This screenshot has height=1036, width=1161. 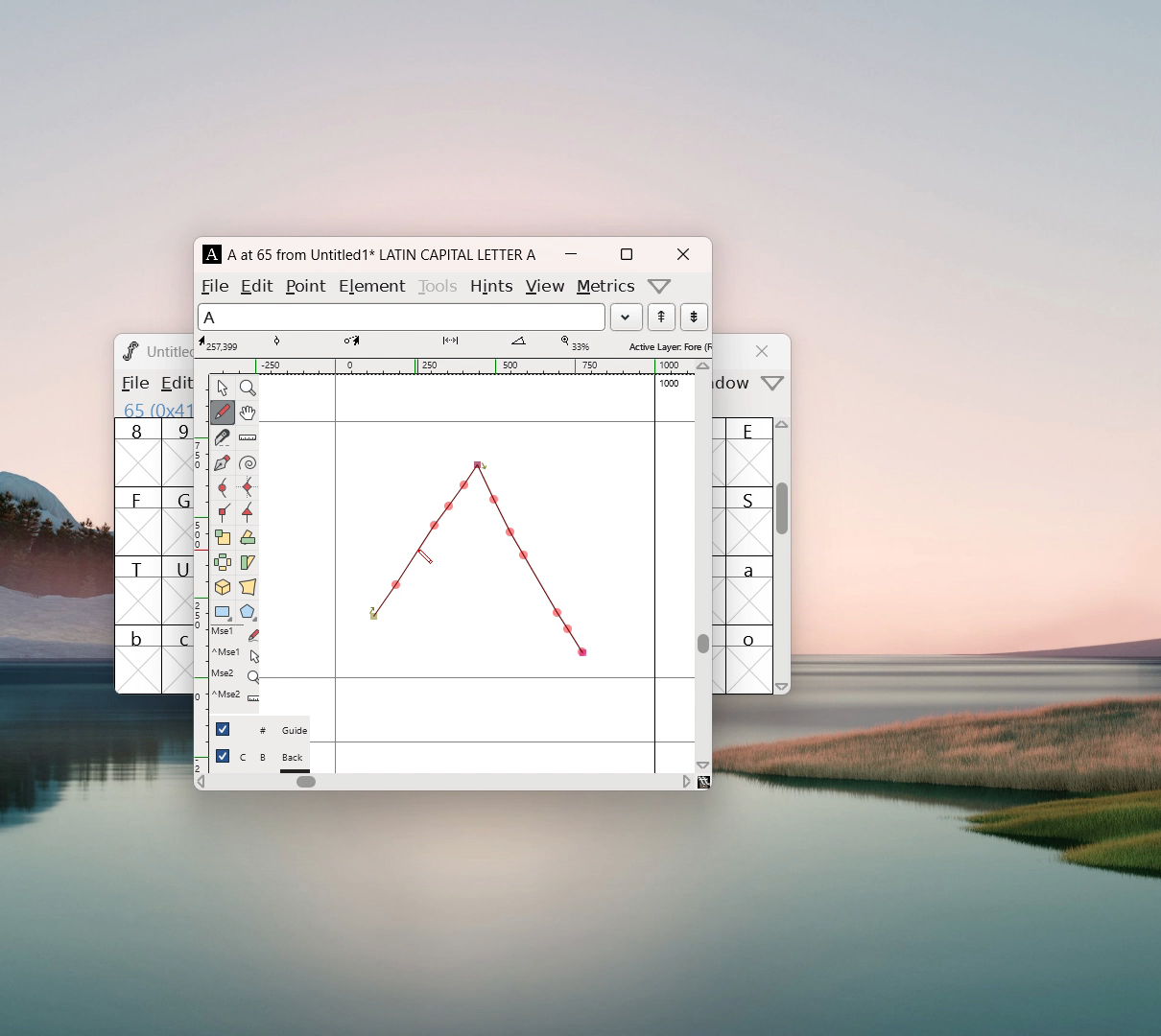 What do you see at coordinates (223, 728) in the screenshot?
I see `checkbox` at bounding box center [223, 728].